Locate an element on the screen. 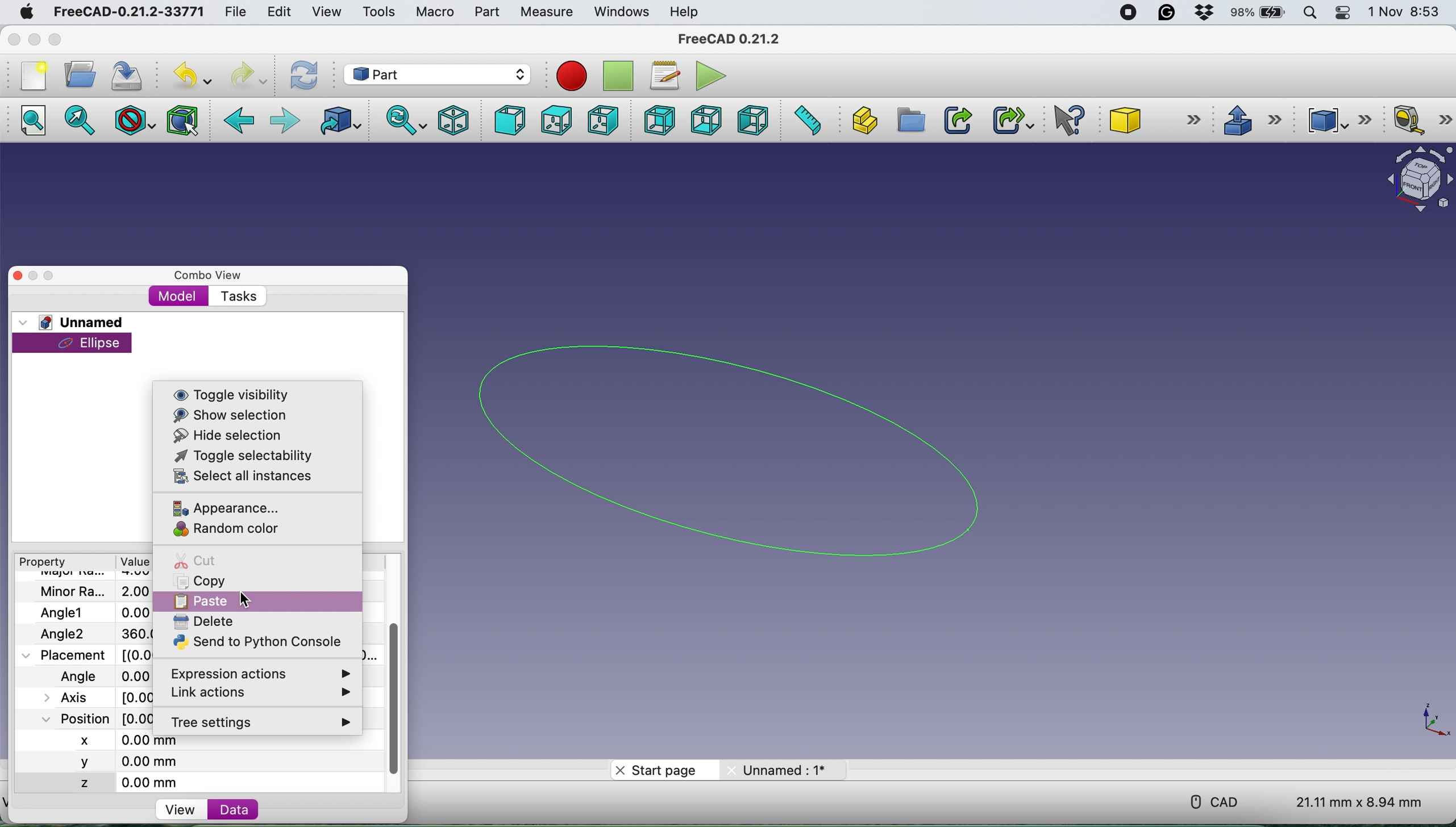  left is located at coordinates (752, 120).